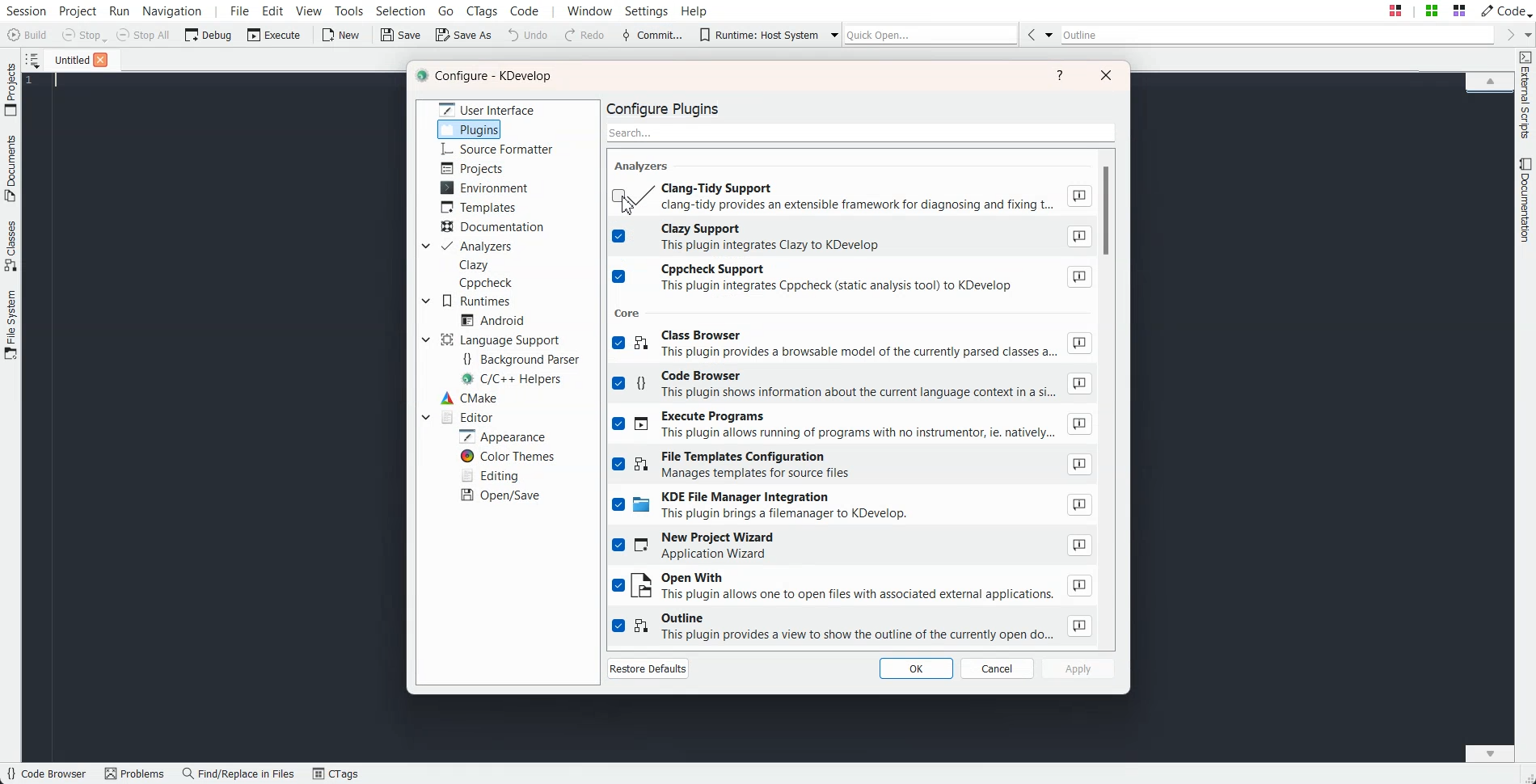 This screenshot has height=784, width=1536. Describe the element at coordinates (528, 34) in the screenshot. I see `Undo` at that location.